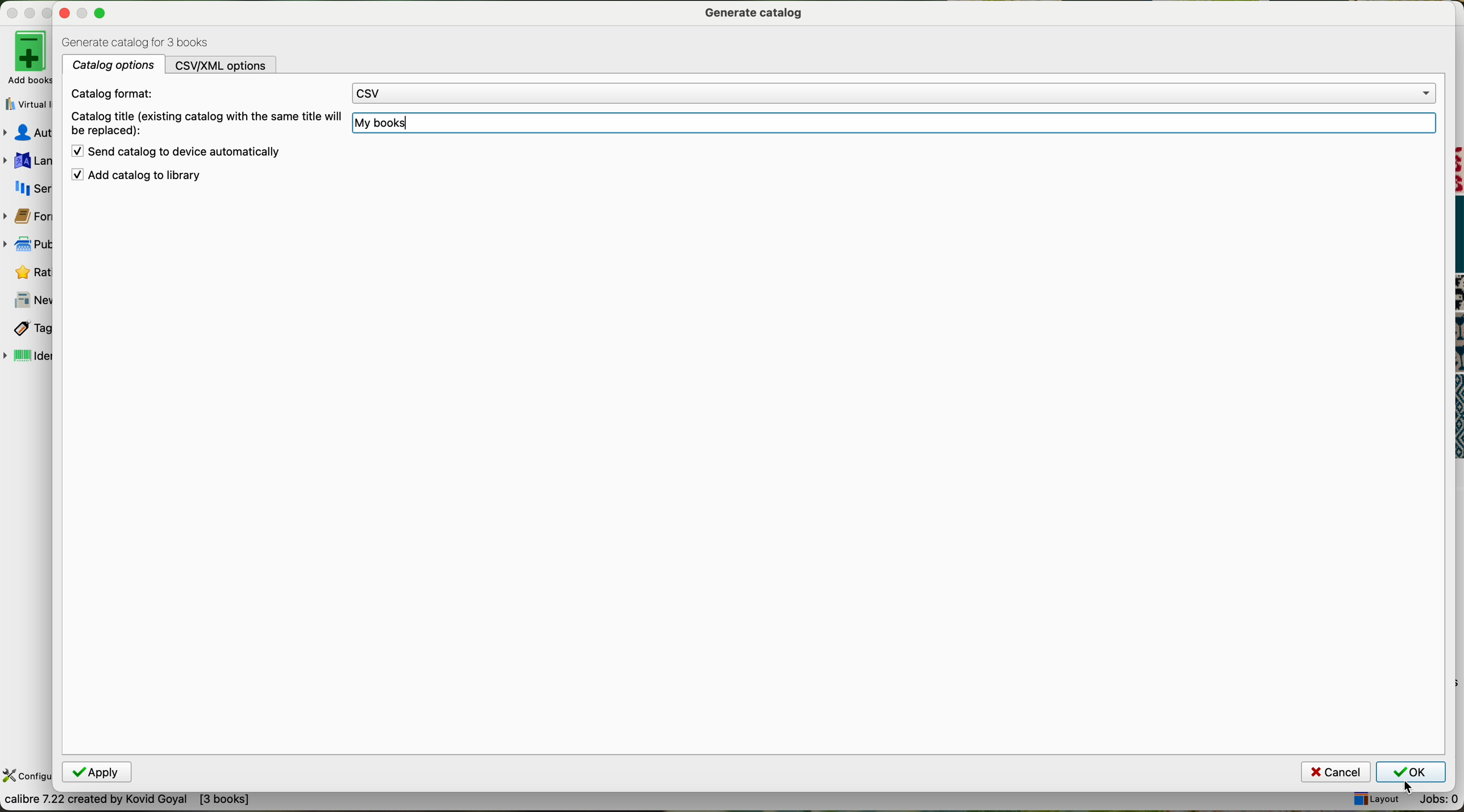 This screenshot has height=812, width=1464. Describe the element at coordinates (24, 160) in the screenshot. I see `languages` at that location.